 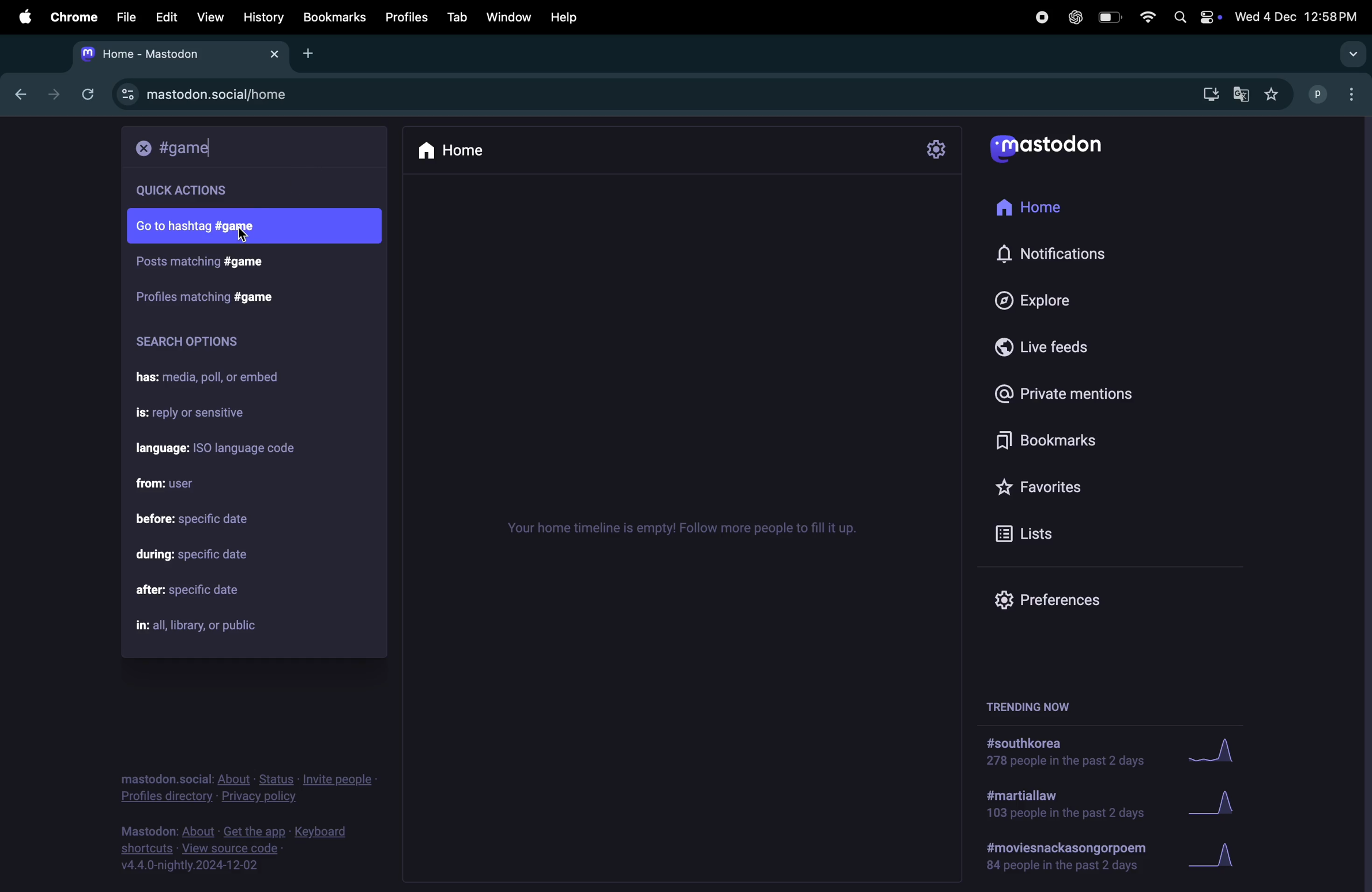 I want to click on user profiles, so click(x=1333, y=94).